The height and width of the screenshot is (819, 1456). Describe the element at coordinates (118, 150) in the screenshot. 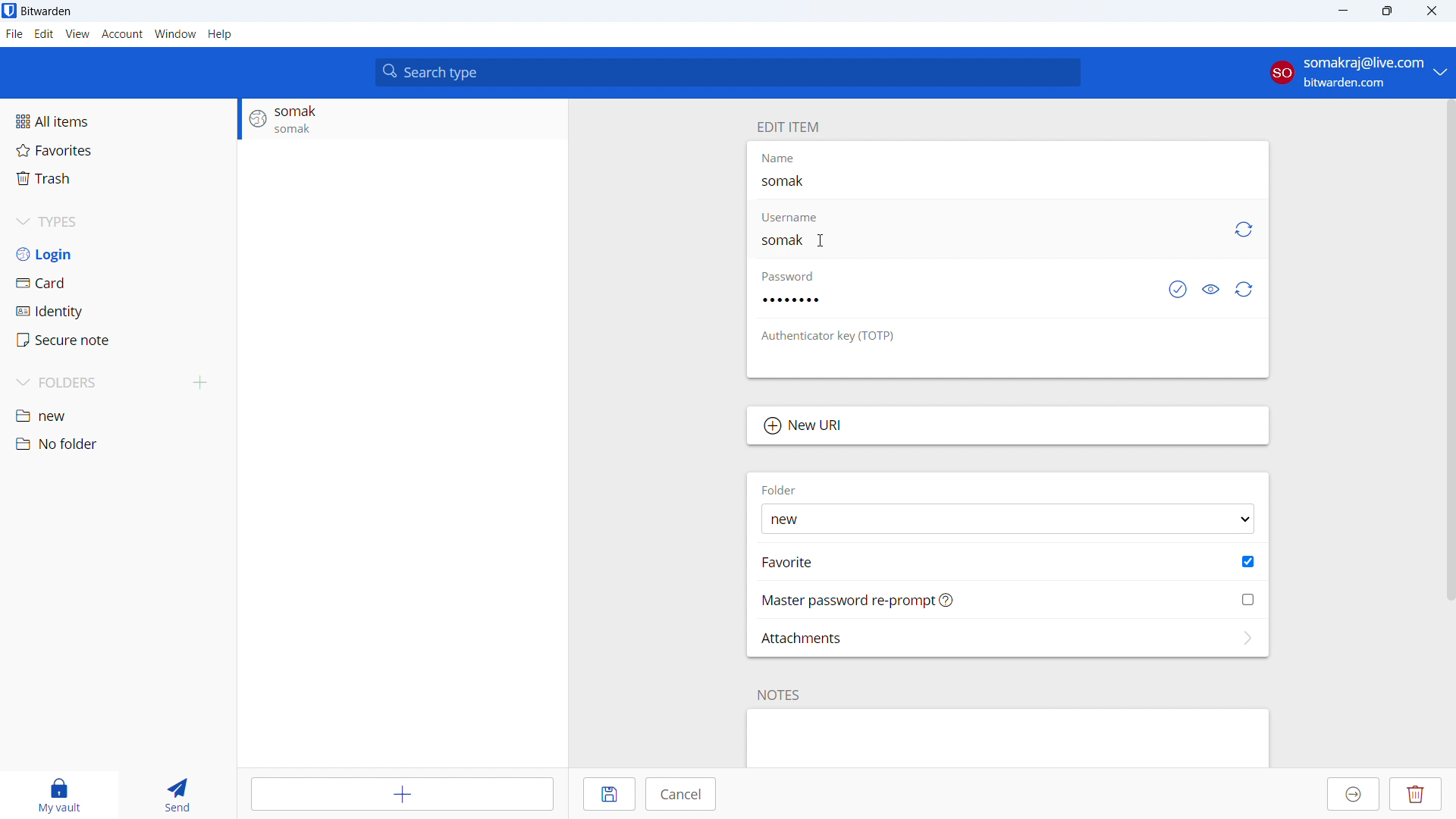

I see `favorites` at that location.